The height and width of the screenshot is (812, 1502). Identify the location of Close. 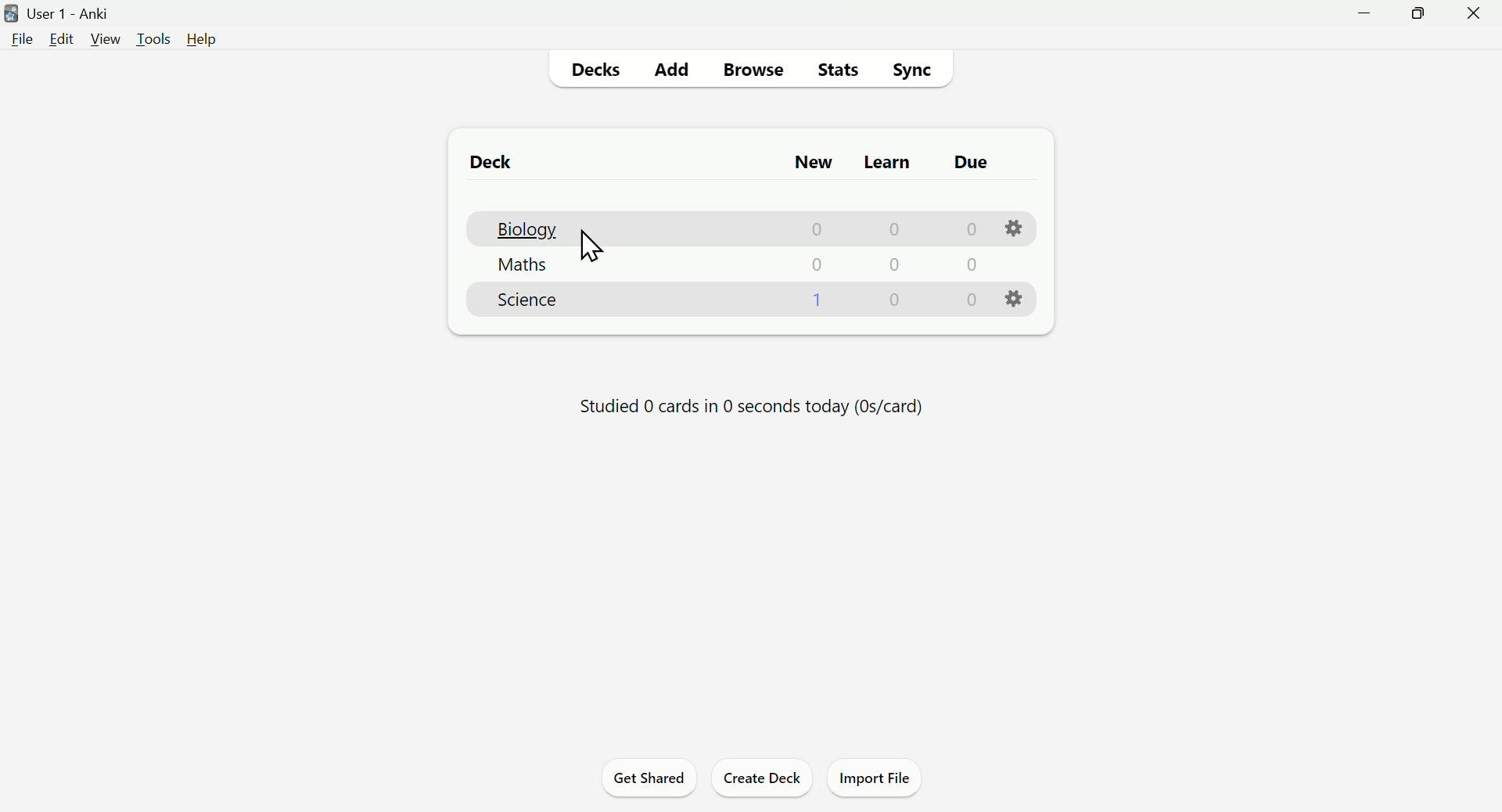
(1476, 18).